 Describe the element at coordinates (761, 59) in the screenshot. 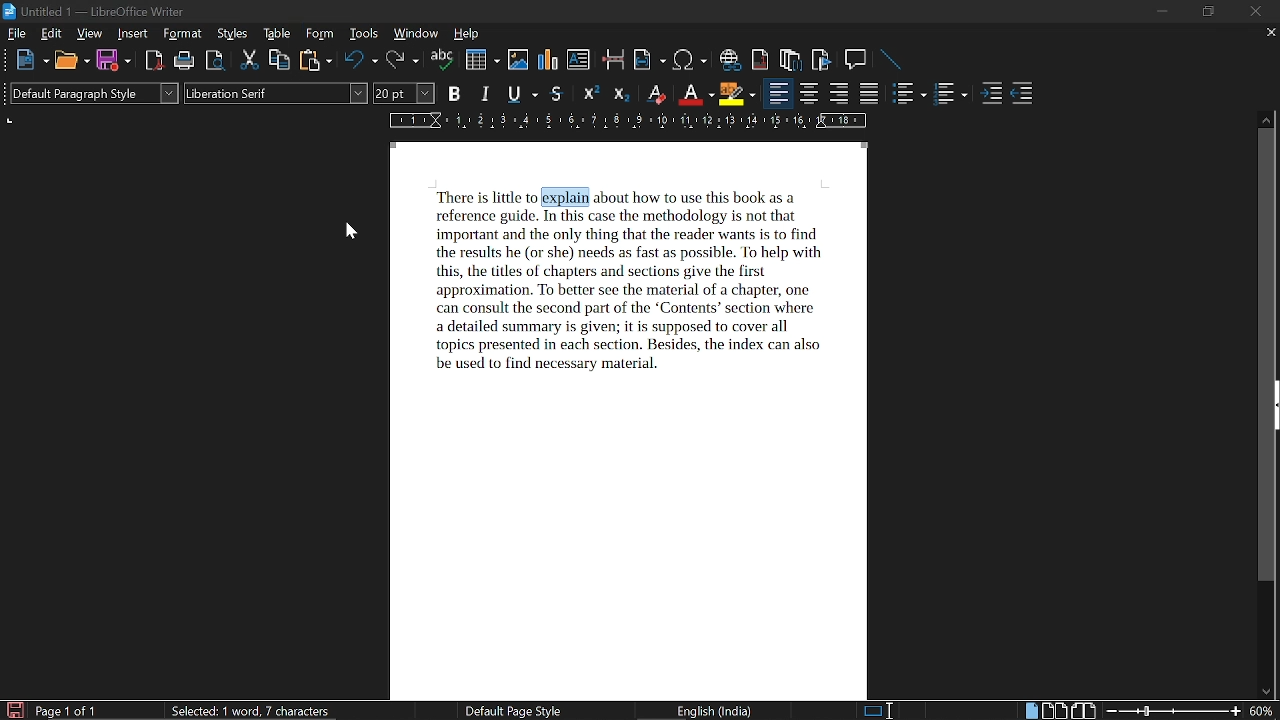

I see `insert endnote` at that location.